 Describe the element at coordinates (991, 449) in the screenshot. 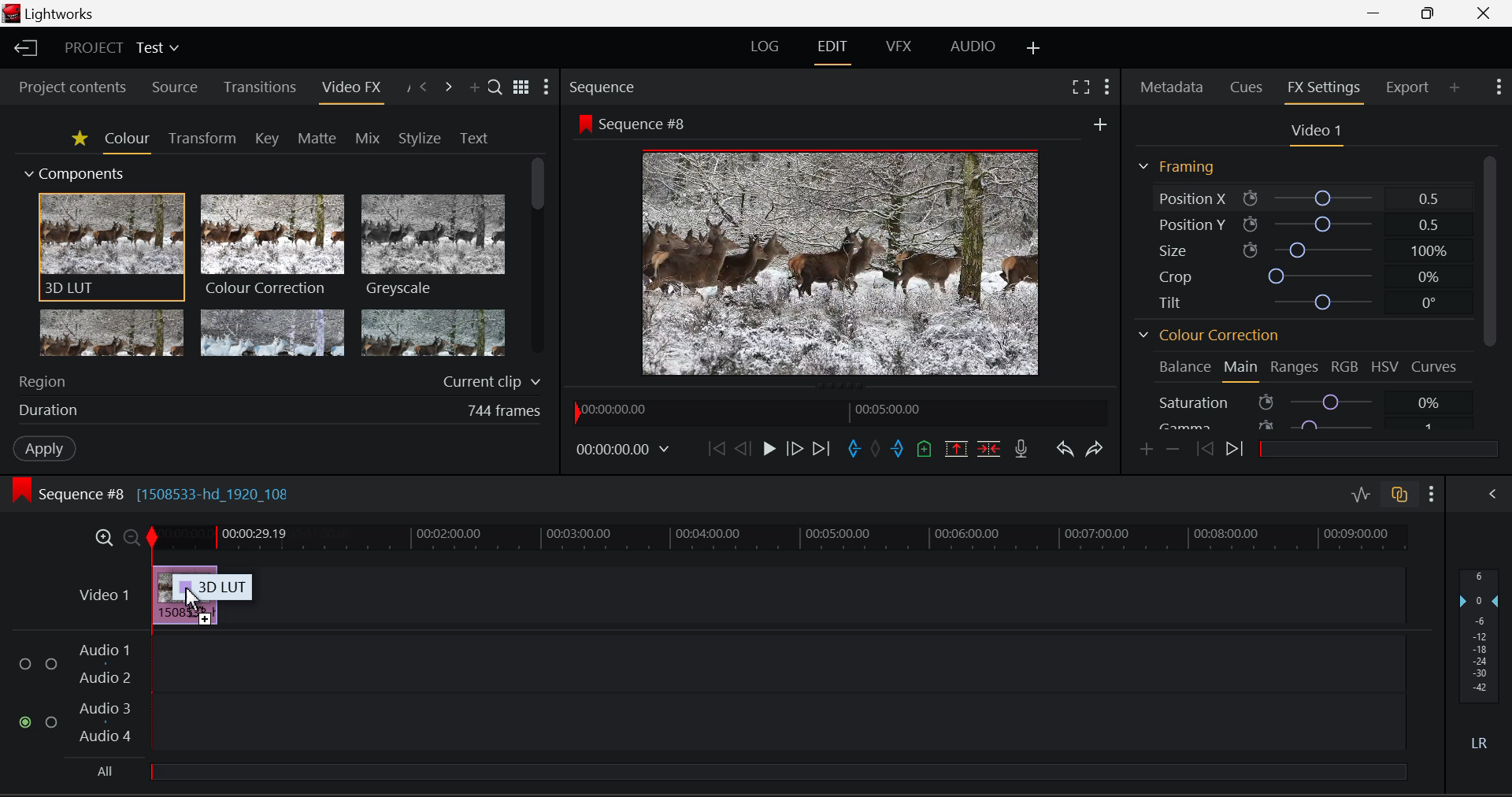

I see `Delete/Cut` at that location.